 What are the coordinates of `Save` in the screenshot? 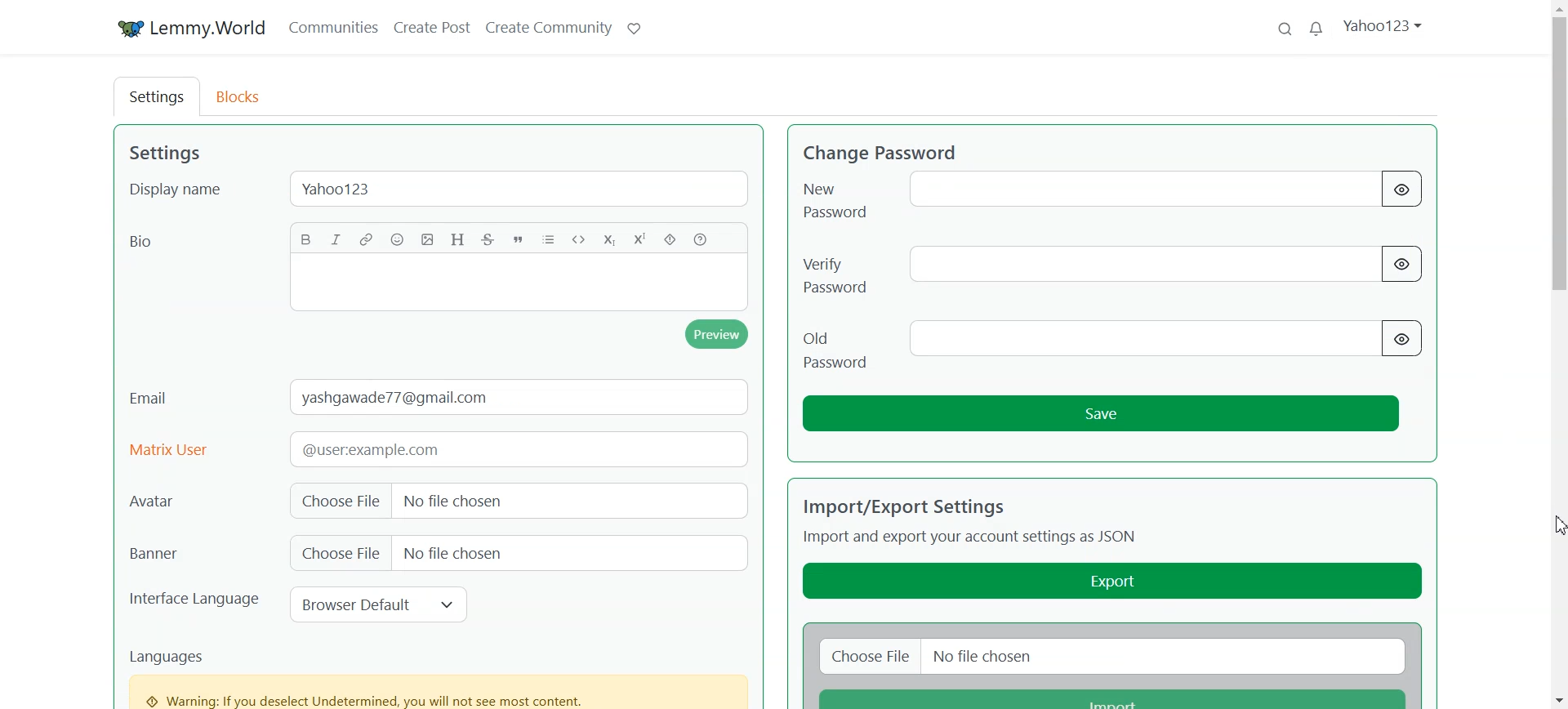 It's located at (1102, 414).